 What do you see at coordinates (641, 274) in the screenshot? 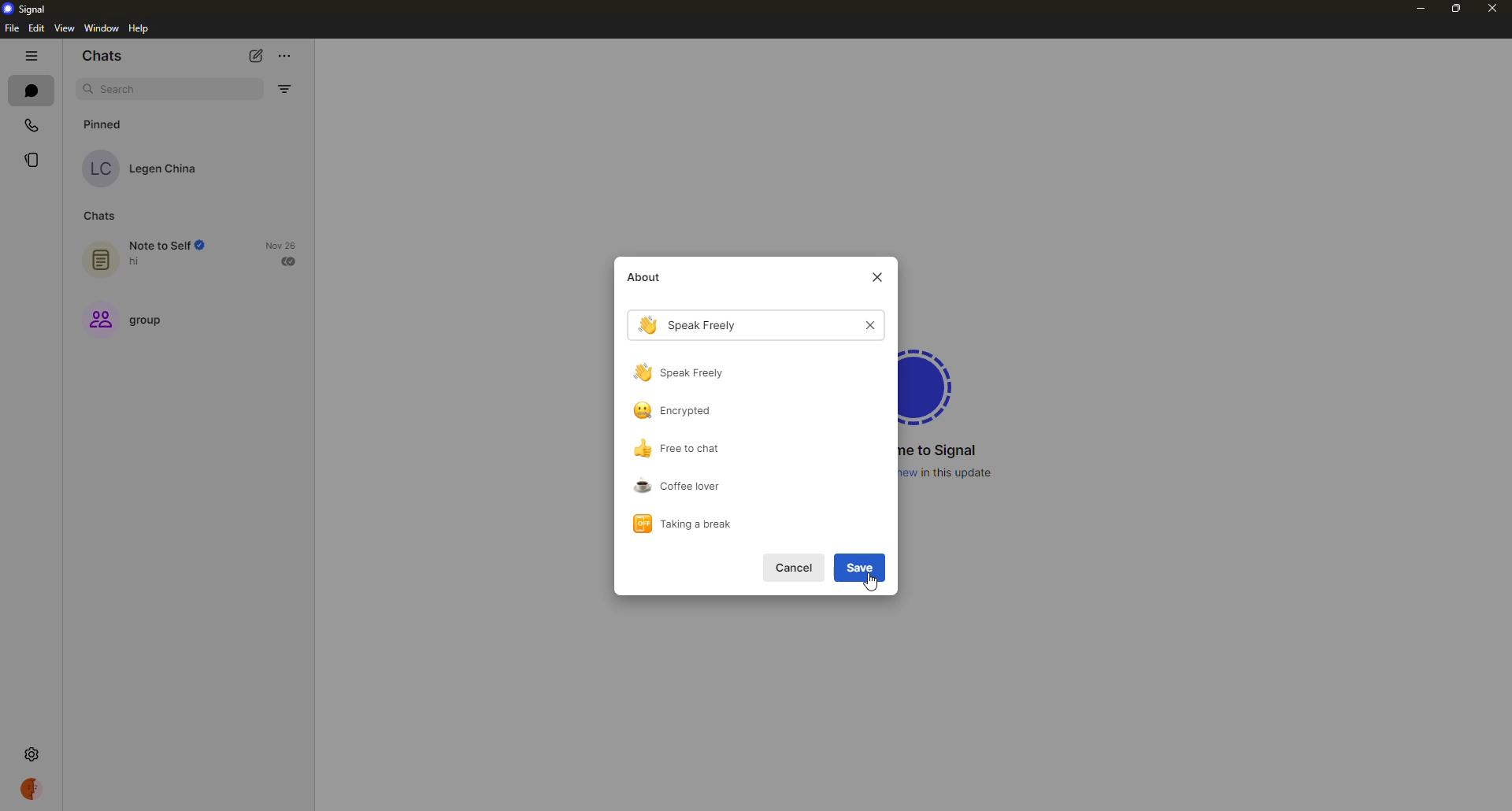
I see `about ` at bounding box center [641, 274].